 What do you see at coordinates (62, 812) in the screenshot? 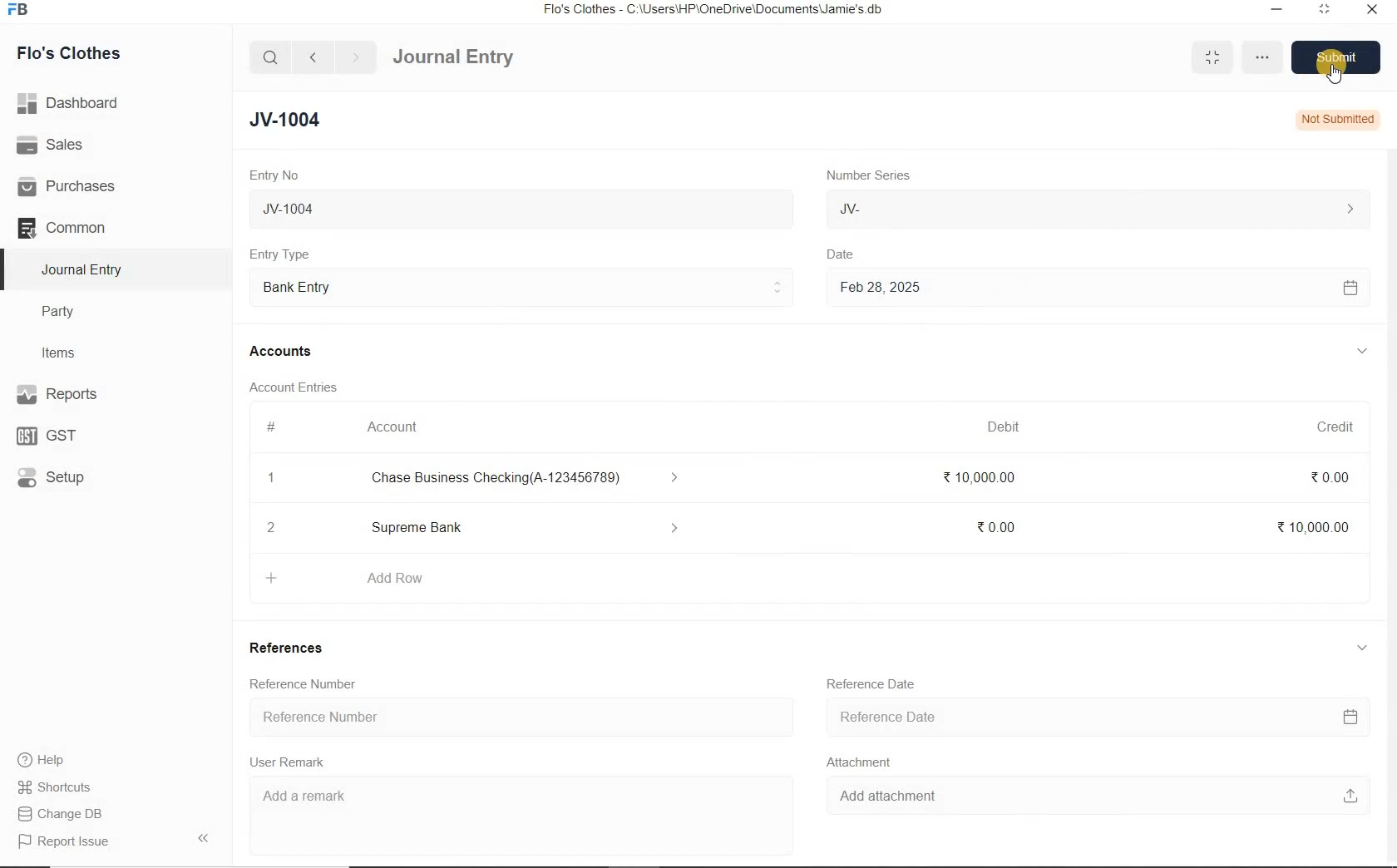
I see `Change DB` at bounding box center [62, 812].